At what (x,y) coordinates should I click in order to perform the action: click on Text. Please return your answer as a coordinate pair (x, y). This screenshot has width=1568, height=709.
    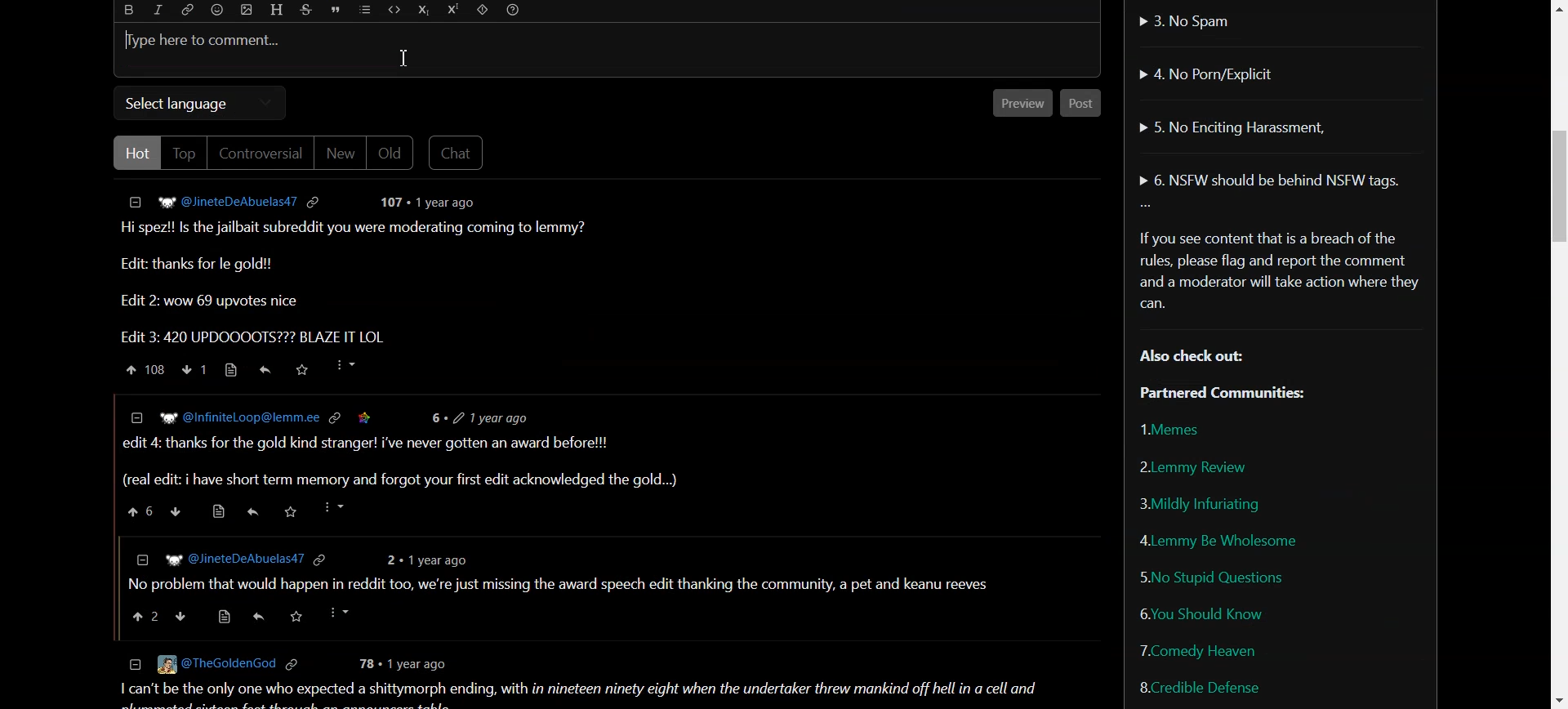
    Looking at the image, I should click on (1279, 311).